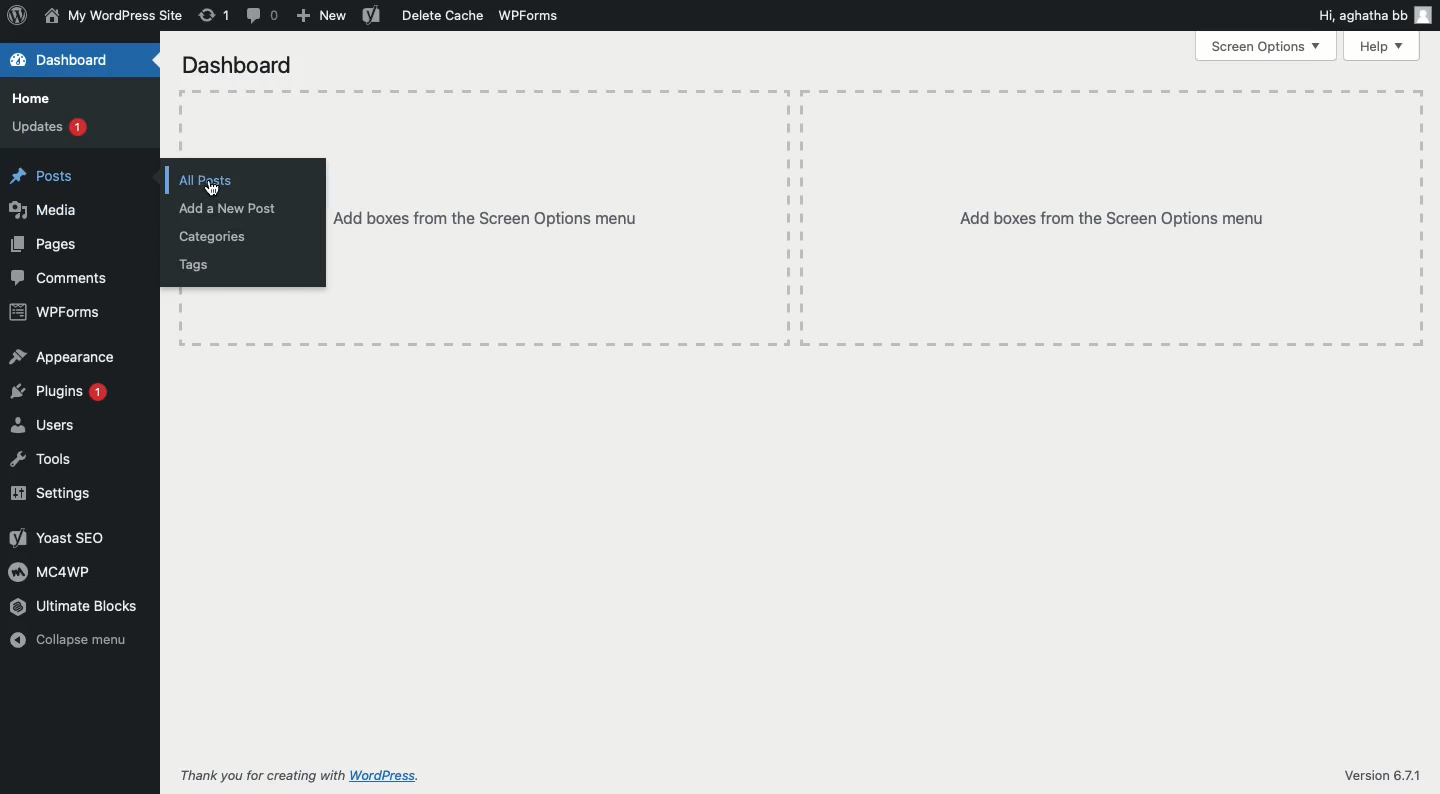 This screenshot has width=1440, height=794. I want to click on Dashboard, so click(234, 61).